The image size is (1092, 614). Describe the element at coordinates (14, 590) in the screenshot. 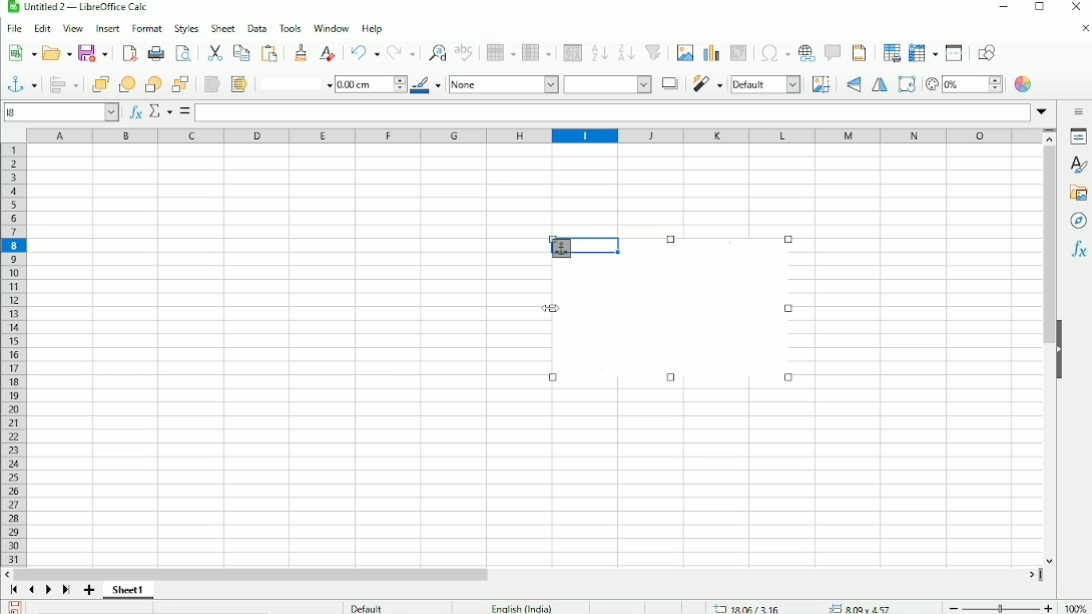

I see `Scroll to first sheet` at that location.